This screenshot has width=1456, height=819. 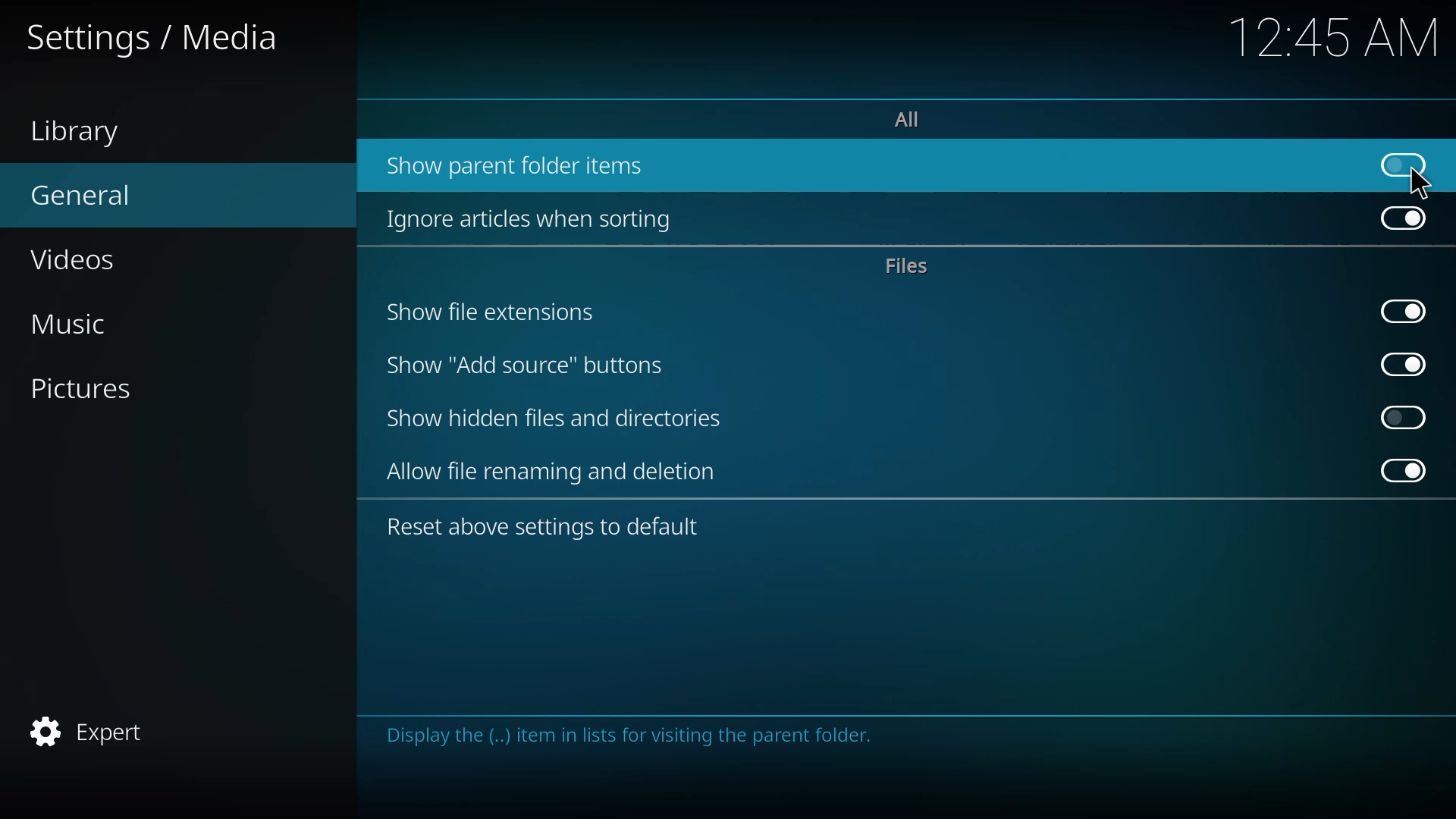 What do you see at coordinates (93, 387) in the screenshot?
I see `pictures` at bounding box center [93, 387].